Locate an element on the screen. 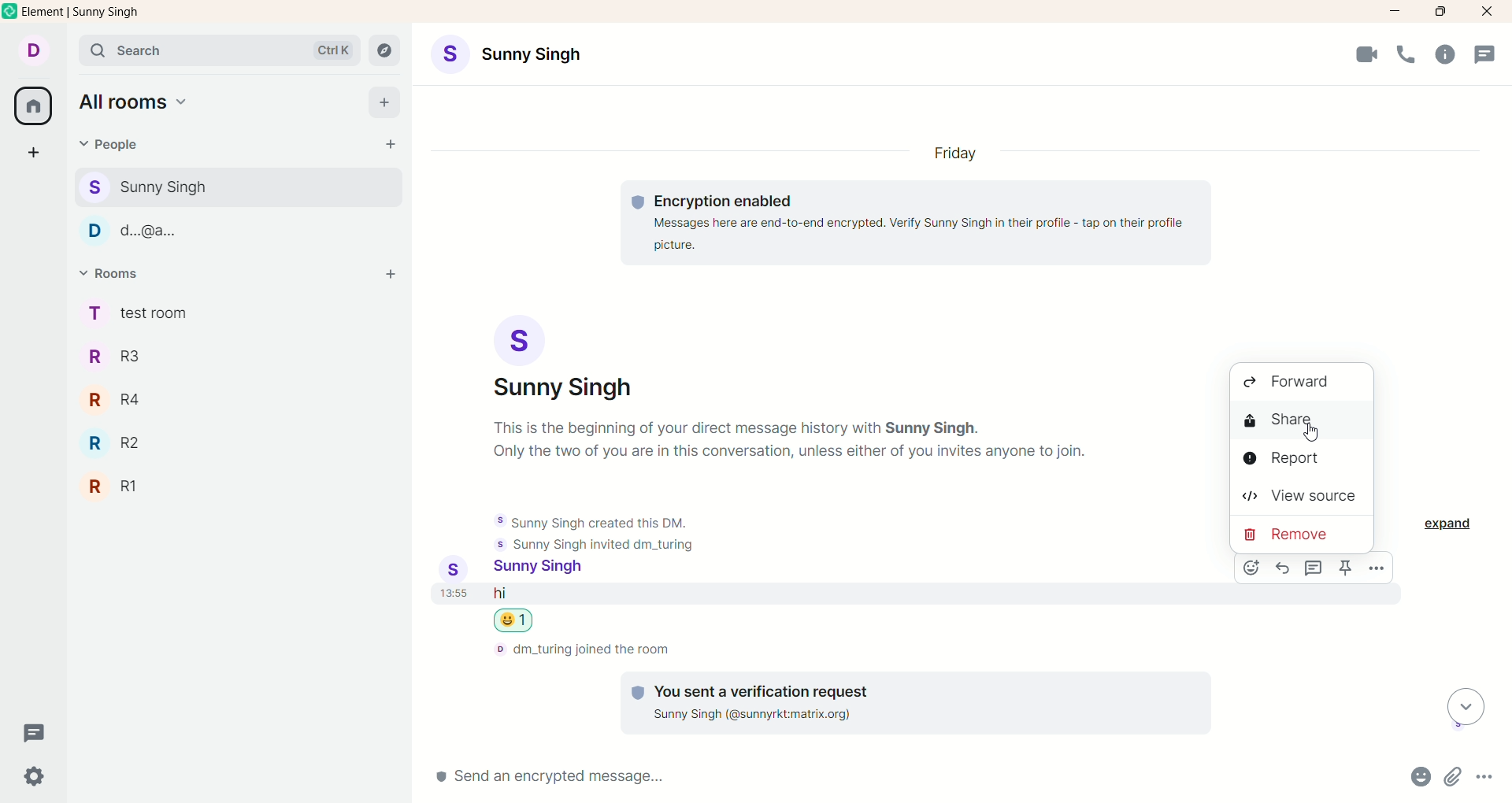   is located at coordinates (1314, 568).